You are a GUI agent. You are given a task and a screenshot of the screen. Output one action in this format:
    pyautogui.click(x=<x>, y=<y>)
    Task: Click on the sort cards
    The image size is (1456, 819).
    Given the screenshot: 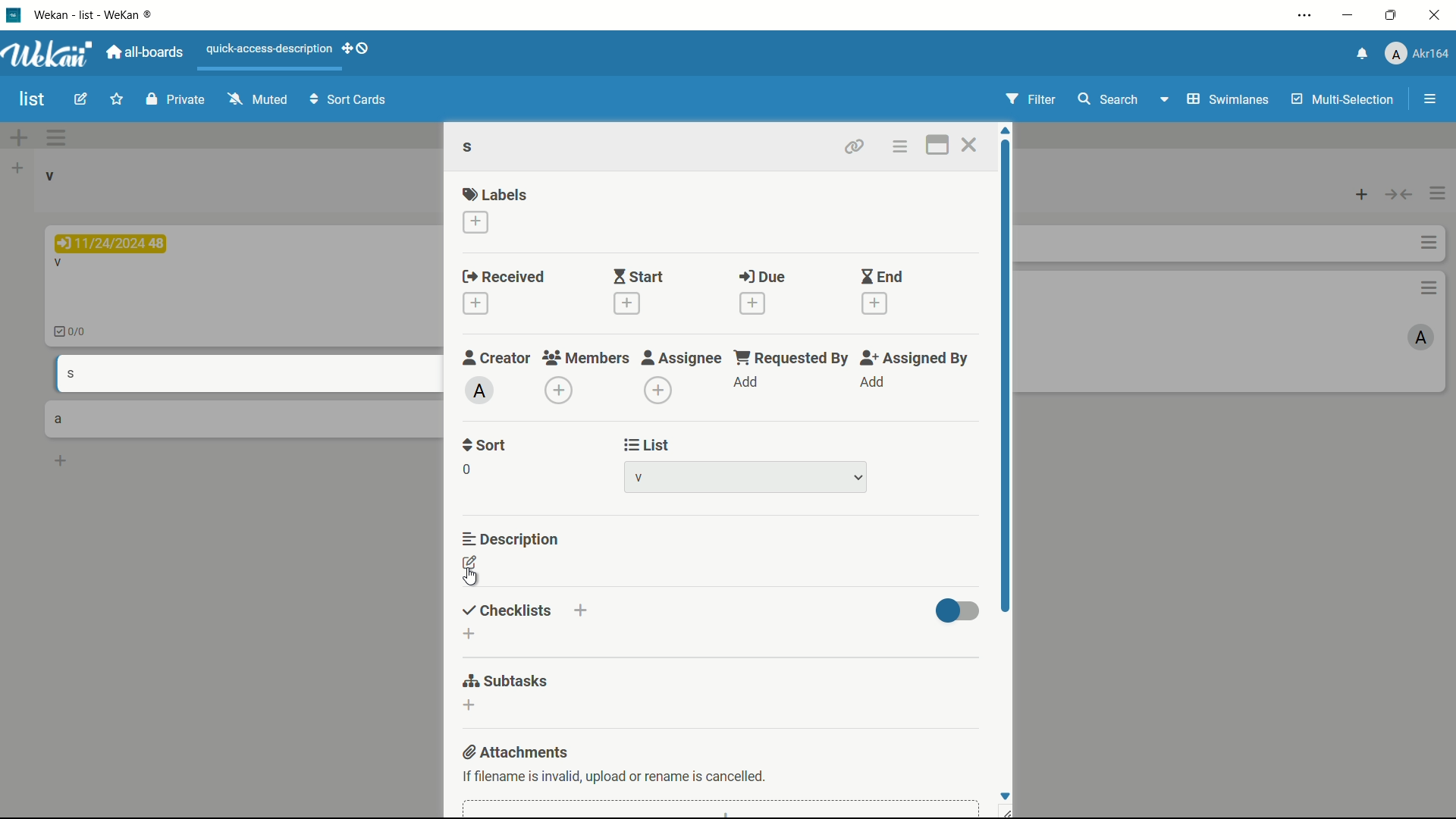 What is the action you would take?
    pyautogui.click(x=350, y=101)
    